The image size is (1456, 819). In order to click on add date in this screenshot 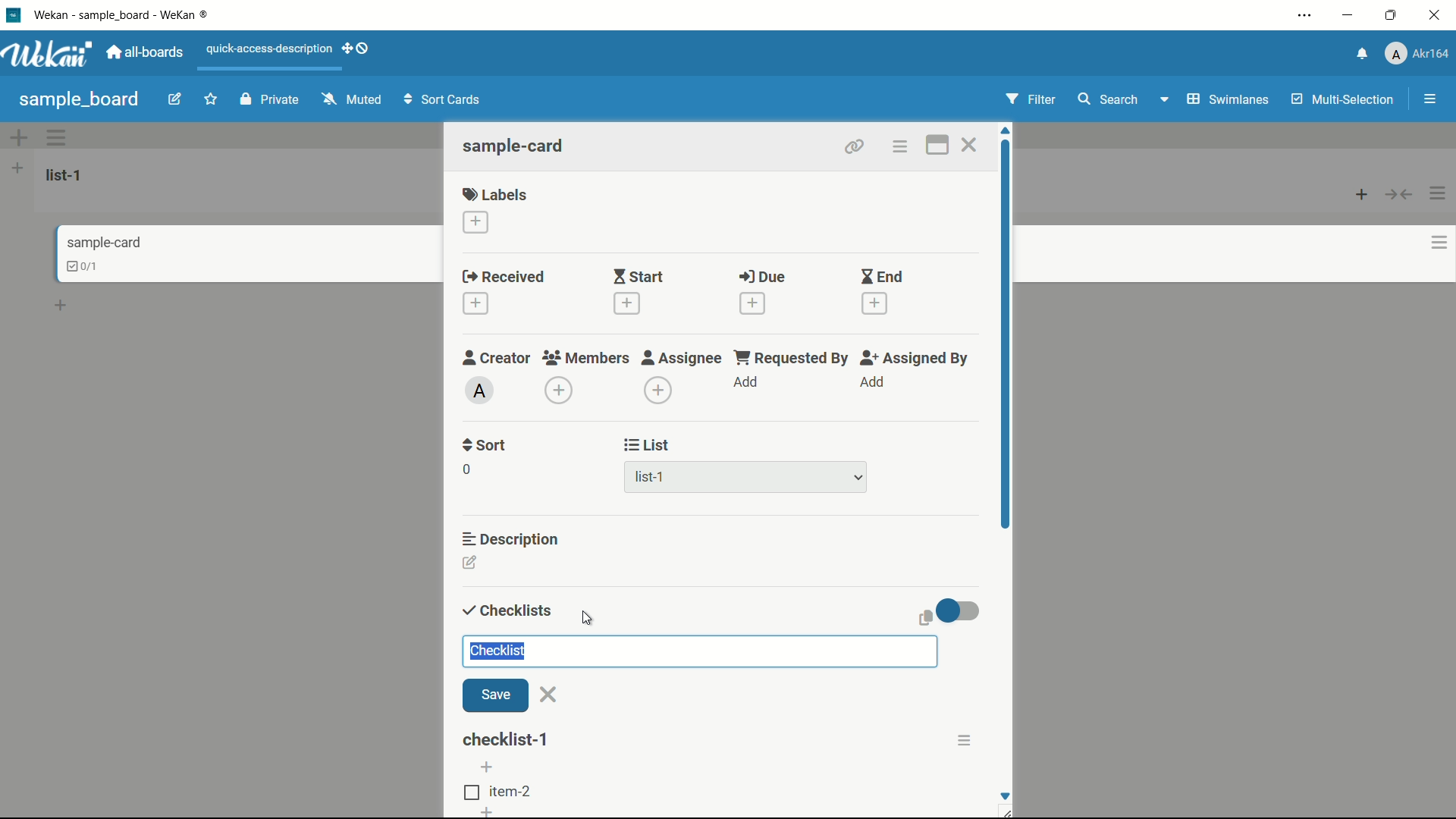, I will do `click(875, 304)`.